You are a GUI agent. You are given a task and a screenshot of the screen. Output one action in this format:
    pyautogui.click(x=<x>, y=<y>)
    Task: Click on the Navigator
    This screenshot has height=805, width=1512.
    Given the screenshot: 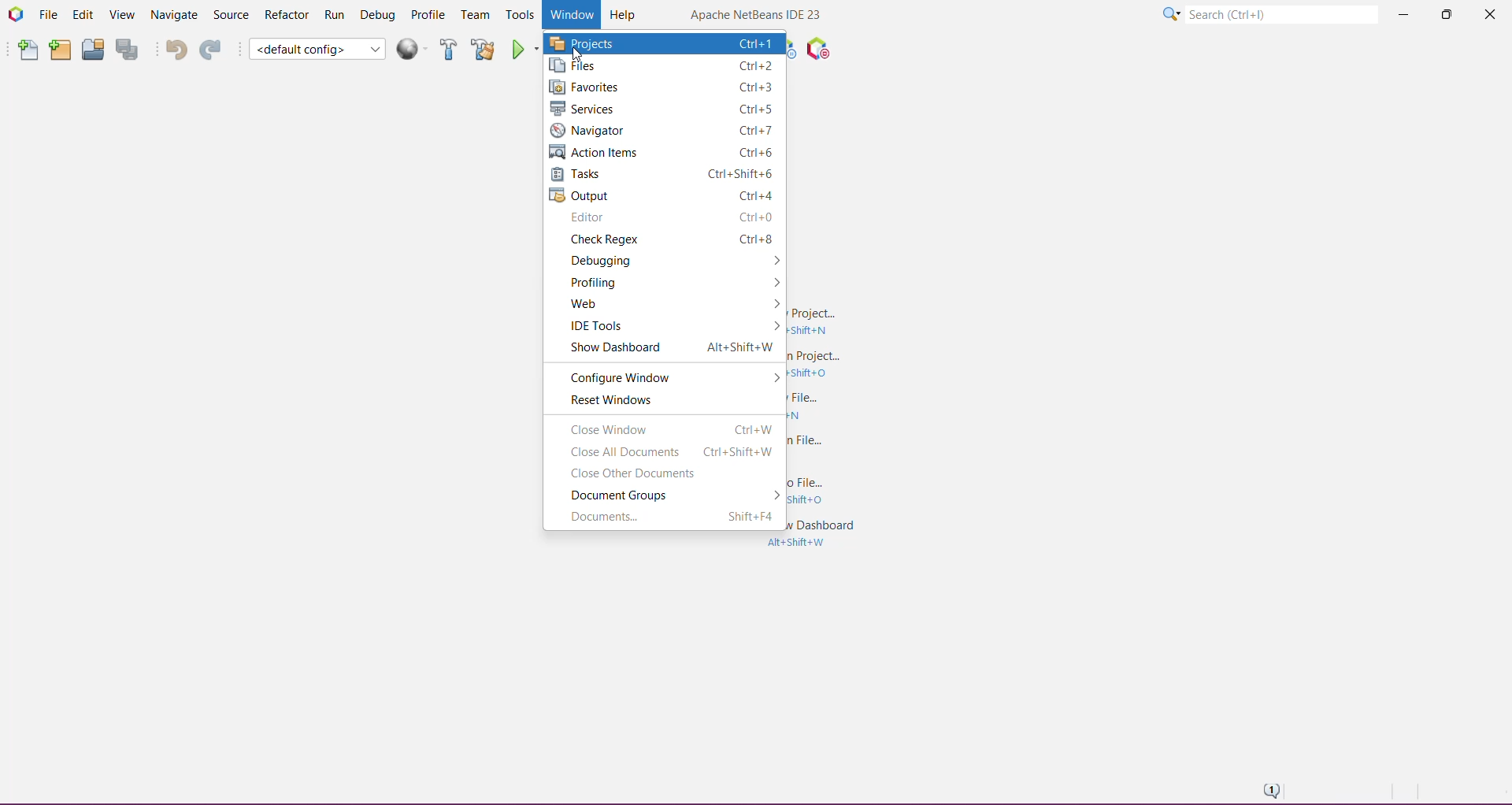 What is the action you would take?
    pyautogui.click(x=665, y=129)
    